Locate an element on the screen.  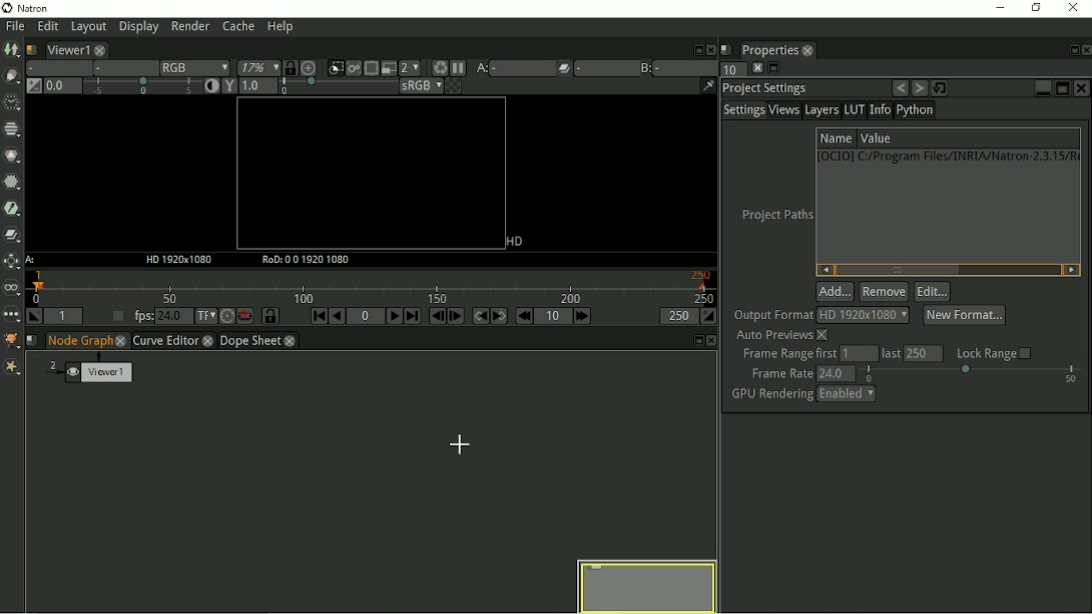
Checkerboard is located at coordinates (445, 87).